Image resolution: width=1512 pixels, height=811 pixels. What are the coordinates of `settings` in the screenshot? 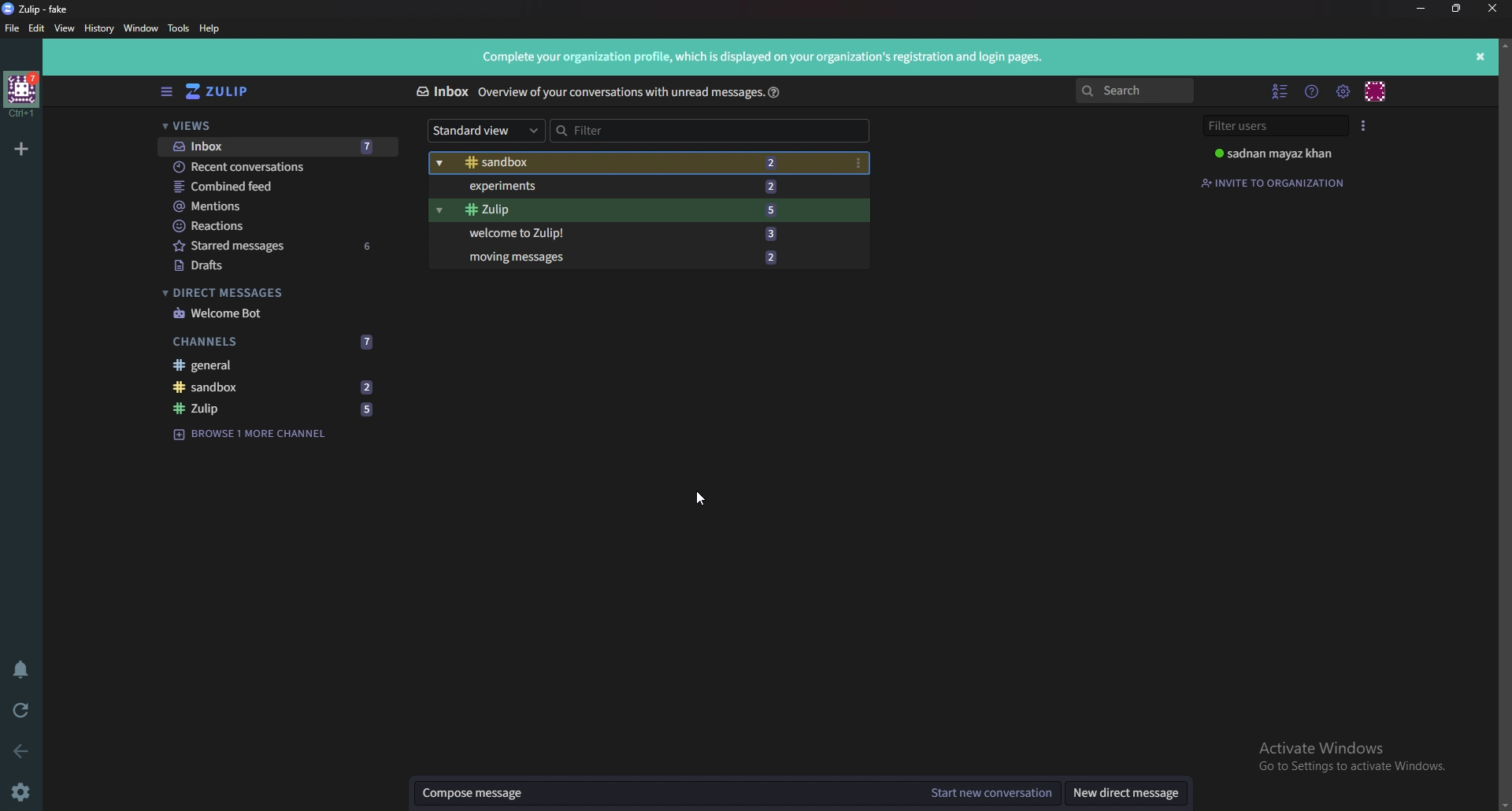 It's located at (22, 794).